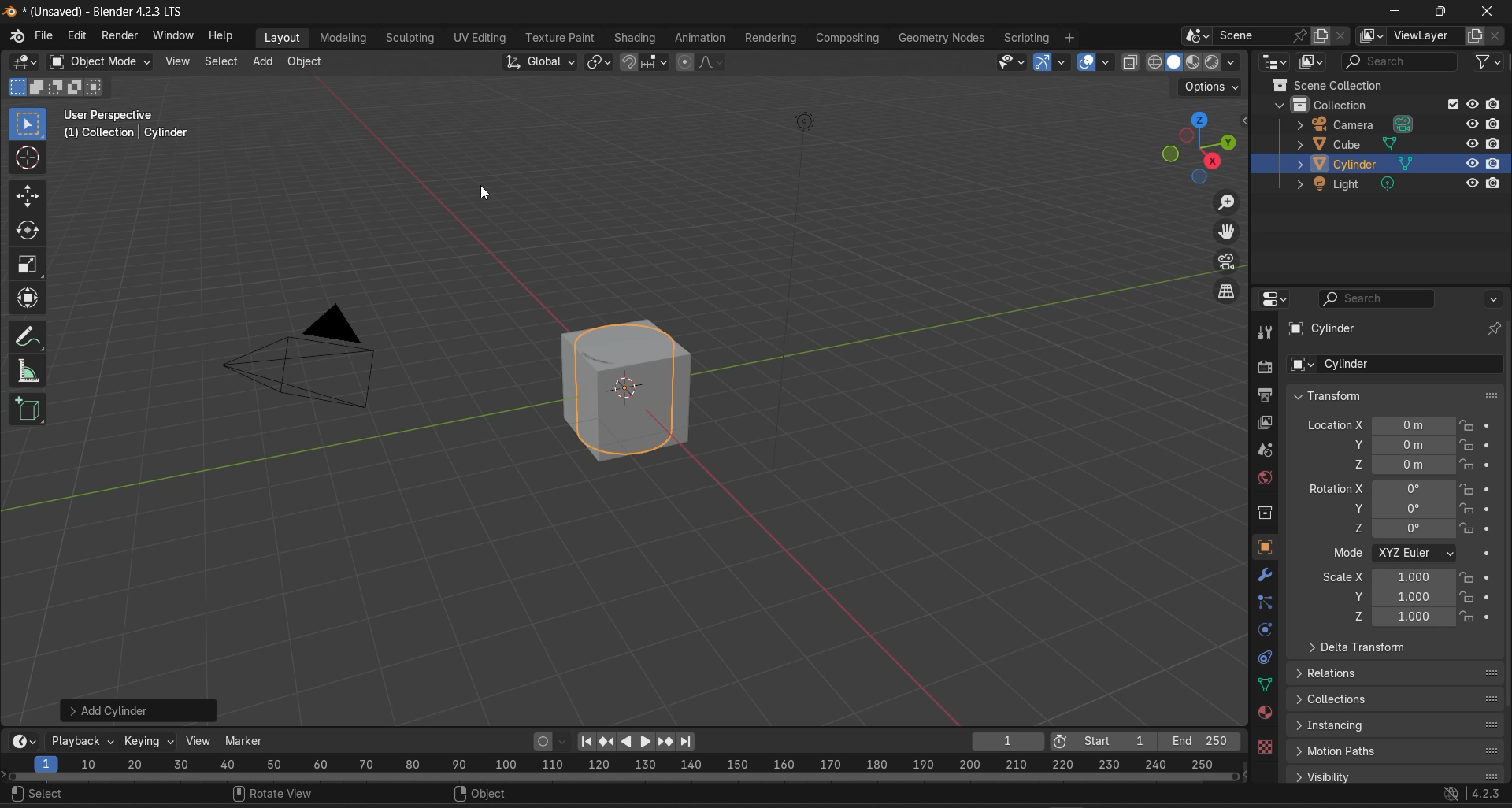 This screenshot has width=1512, height=808. What do you see at coordinates (1395, 675) in the screenshot?
I see `relations` at bounding box center [1395, 675].